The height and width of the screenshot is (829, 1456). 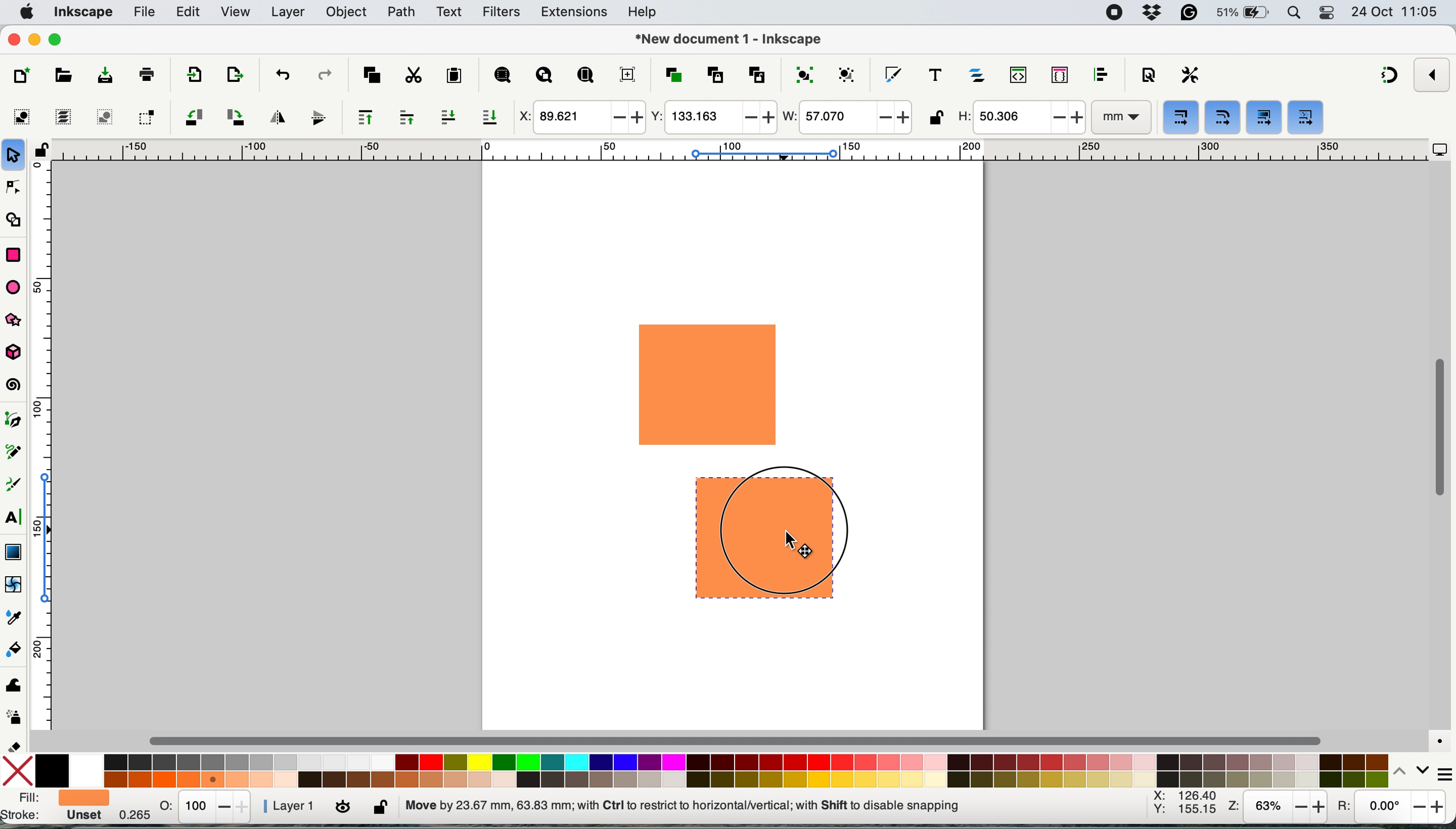 I want to click on fill and stroke, so click(x=54, y=808).